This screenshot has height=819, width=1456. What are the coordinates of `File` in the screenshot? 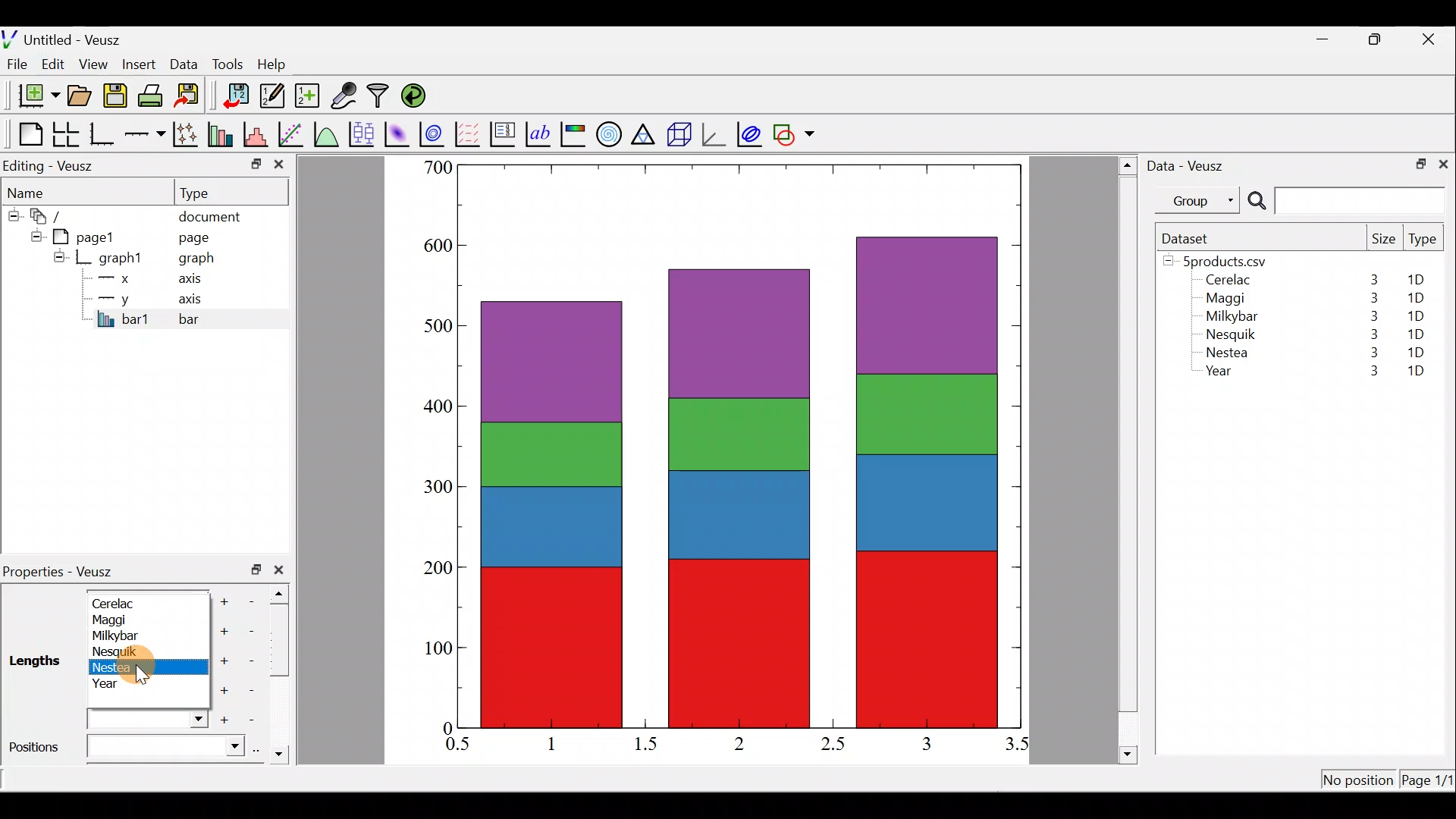 It's located at (14, 64).